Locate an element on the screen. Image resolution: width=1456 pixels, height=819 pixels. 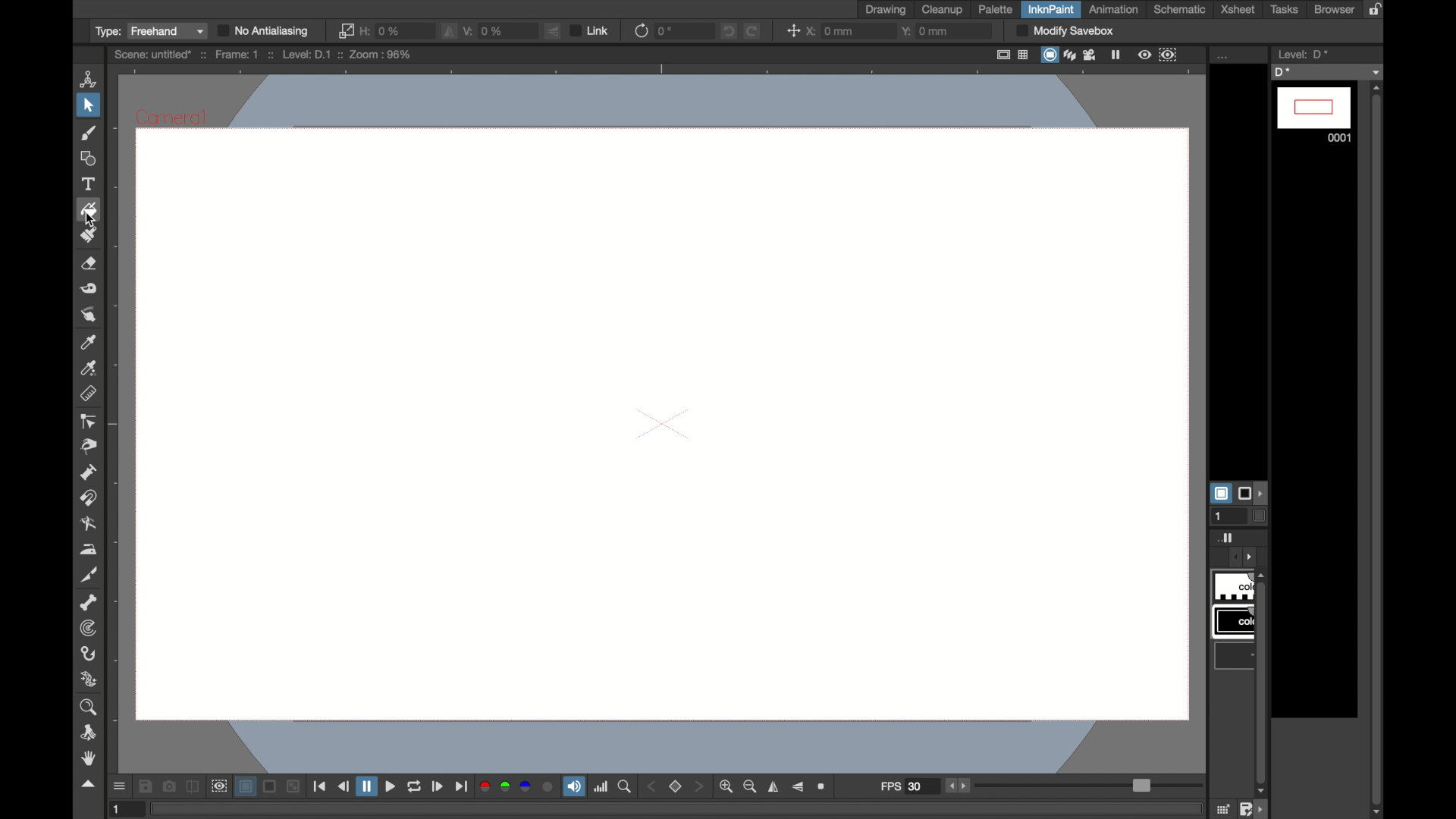
pinch tool is located at coordinates (90, 447).